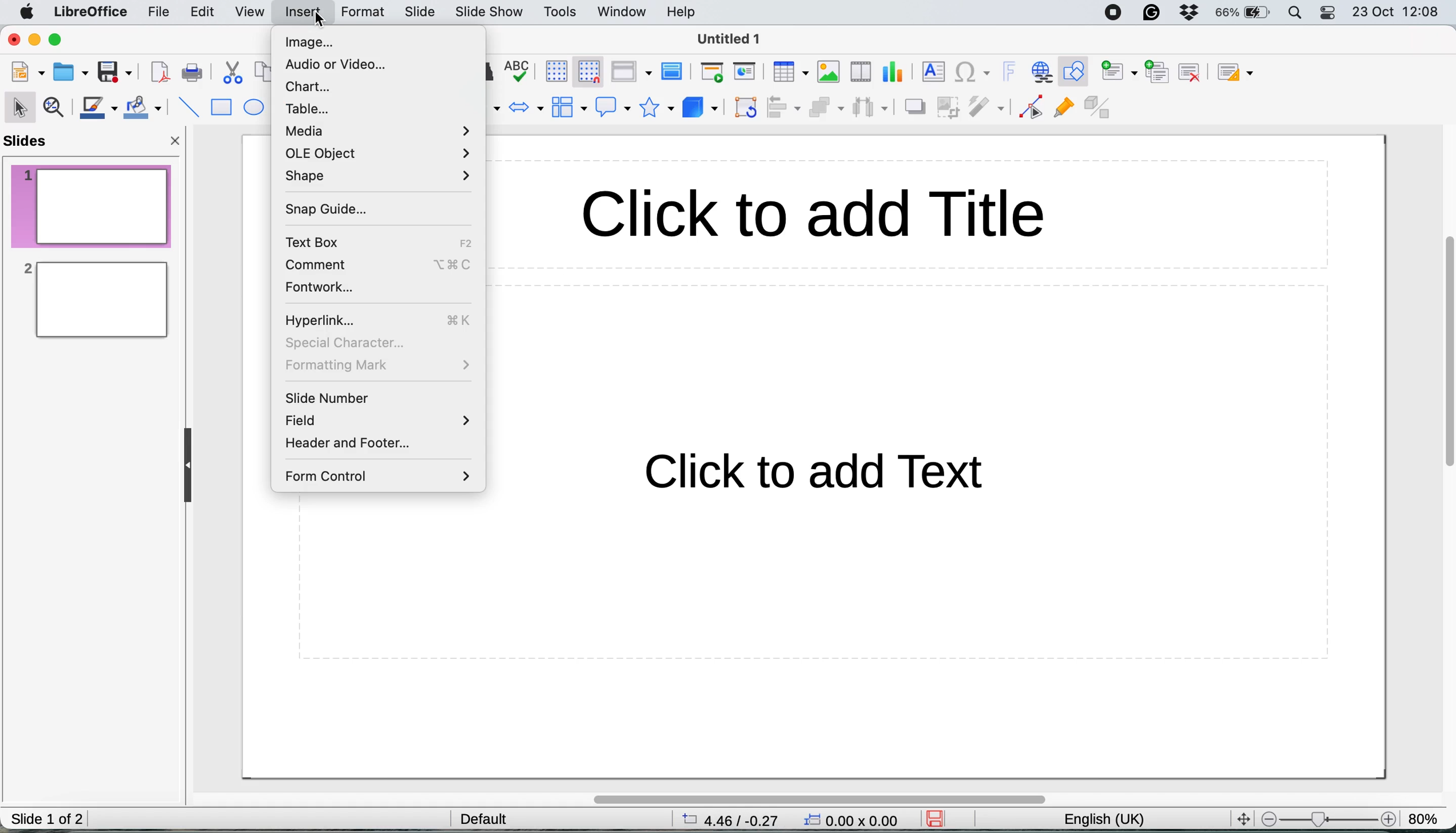  Describe the element at coordinates (623, 13) in the screenshot. I see `window` at that location.